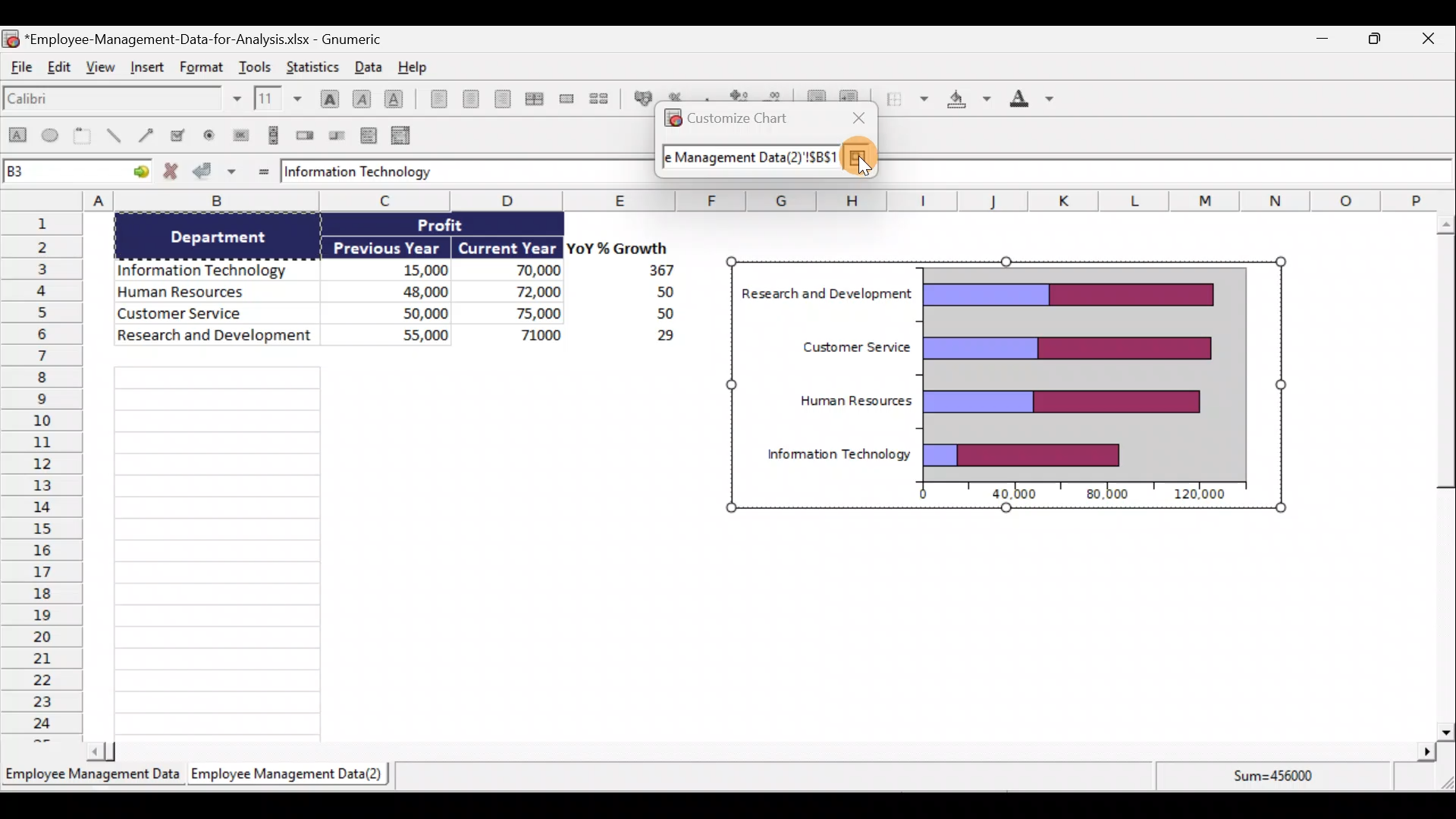  I want to click on Tools, so click(258, 65).